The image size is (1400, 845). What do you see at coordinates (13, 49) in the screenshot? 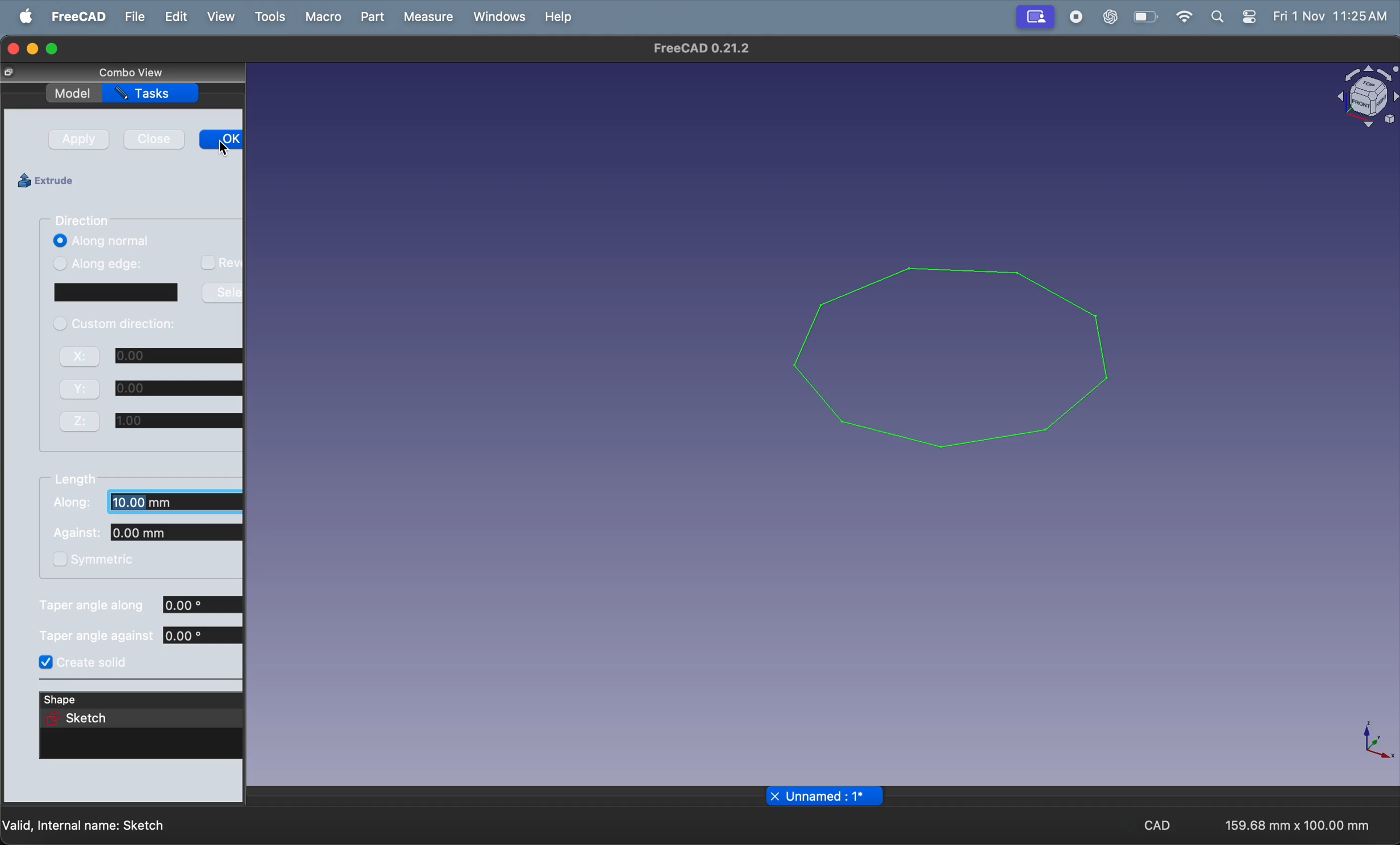
I see `closing window` at bounding box center [13, 49].